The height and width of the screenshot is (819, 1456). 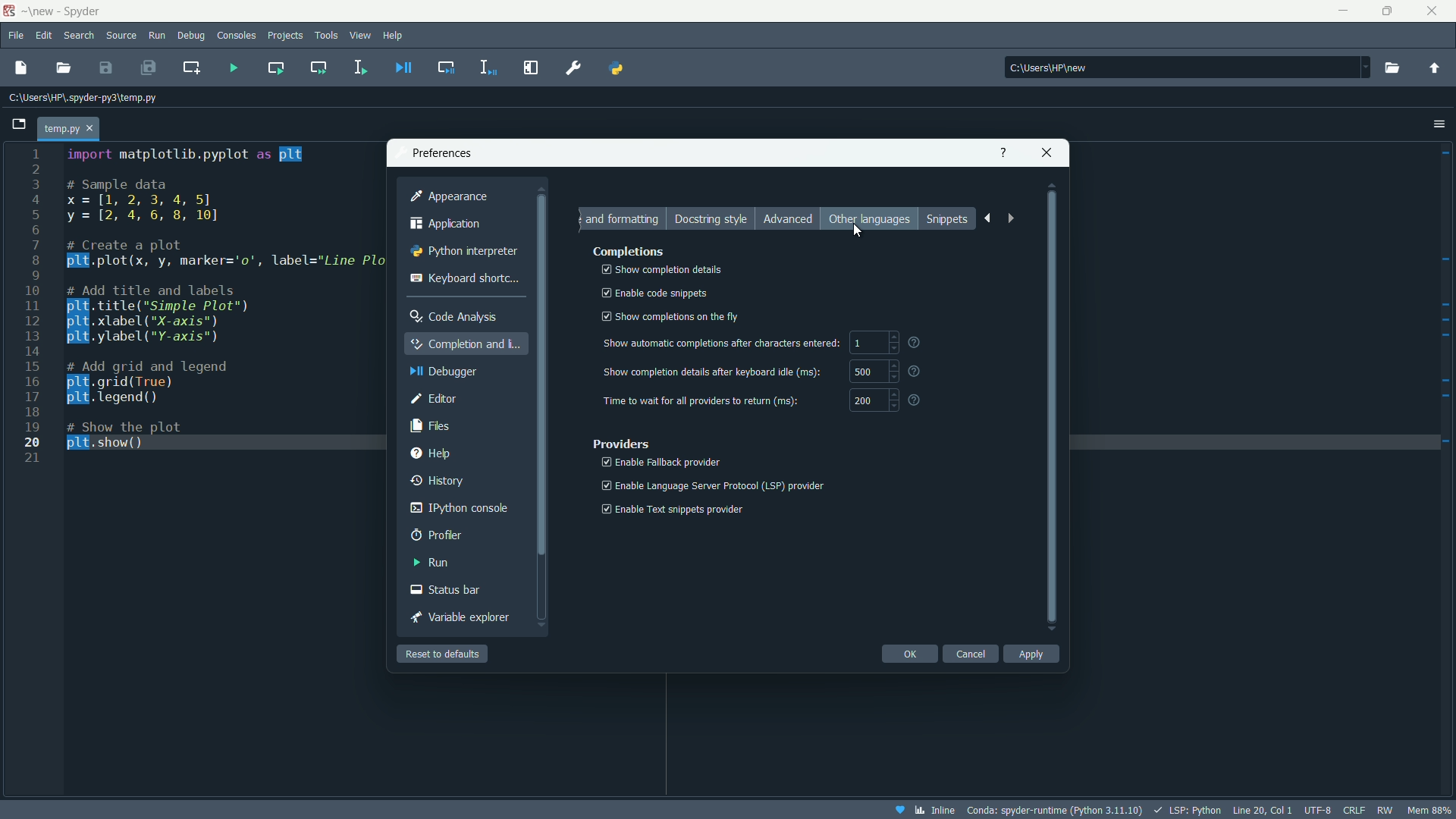 What do you see at coordinates (453, 316) in the screenshot?
I see `code analysis` at bounding box center [453, 316].